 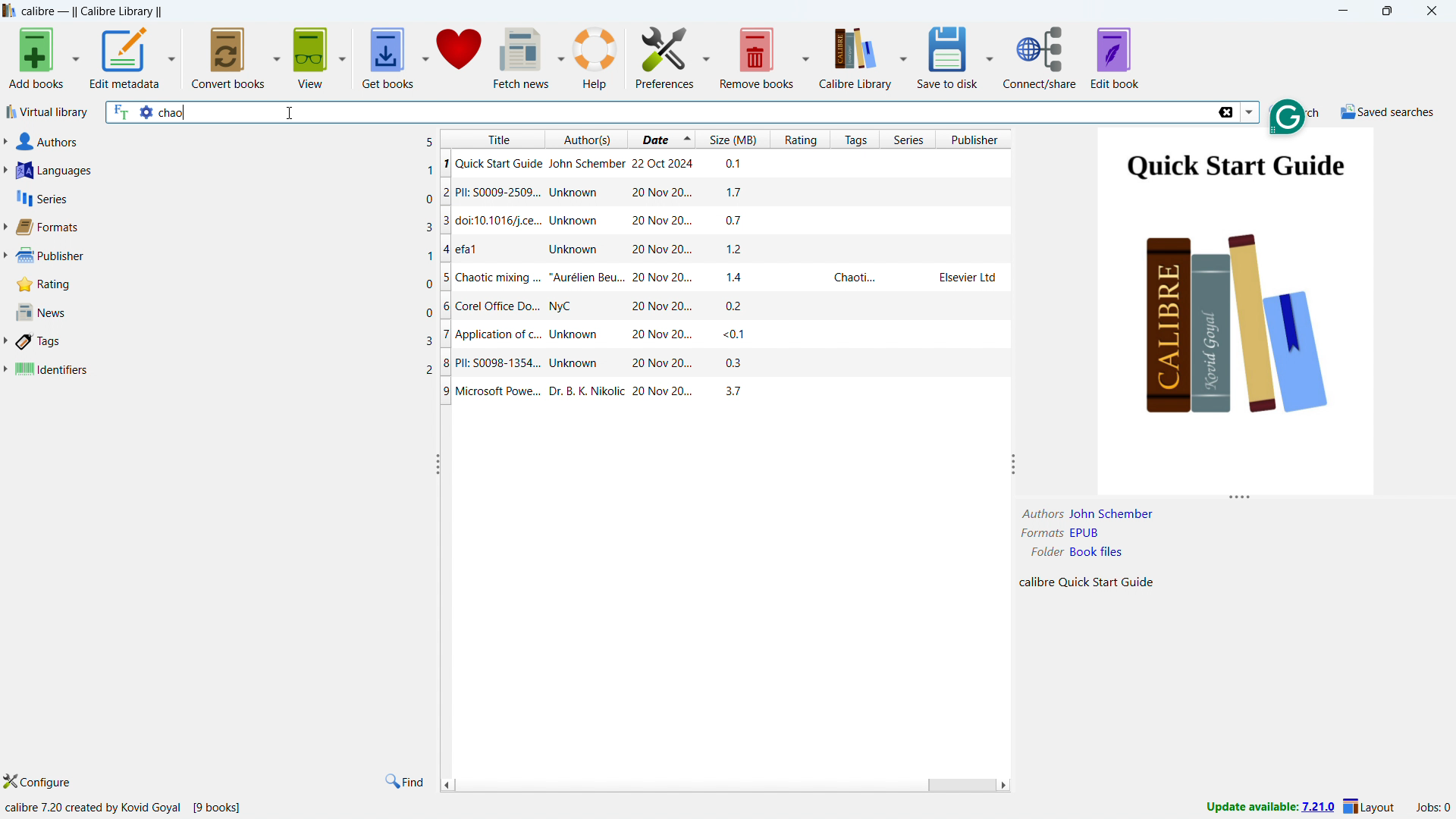 I want to click on edit book, so click(x=1115, y=57).